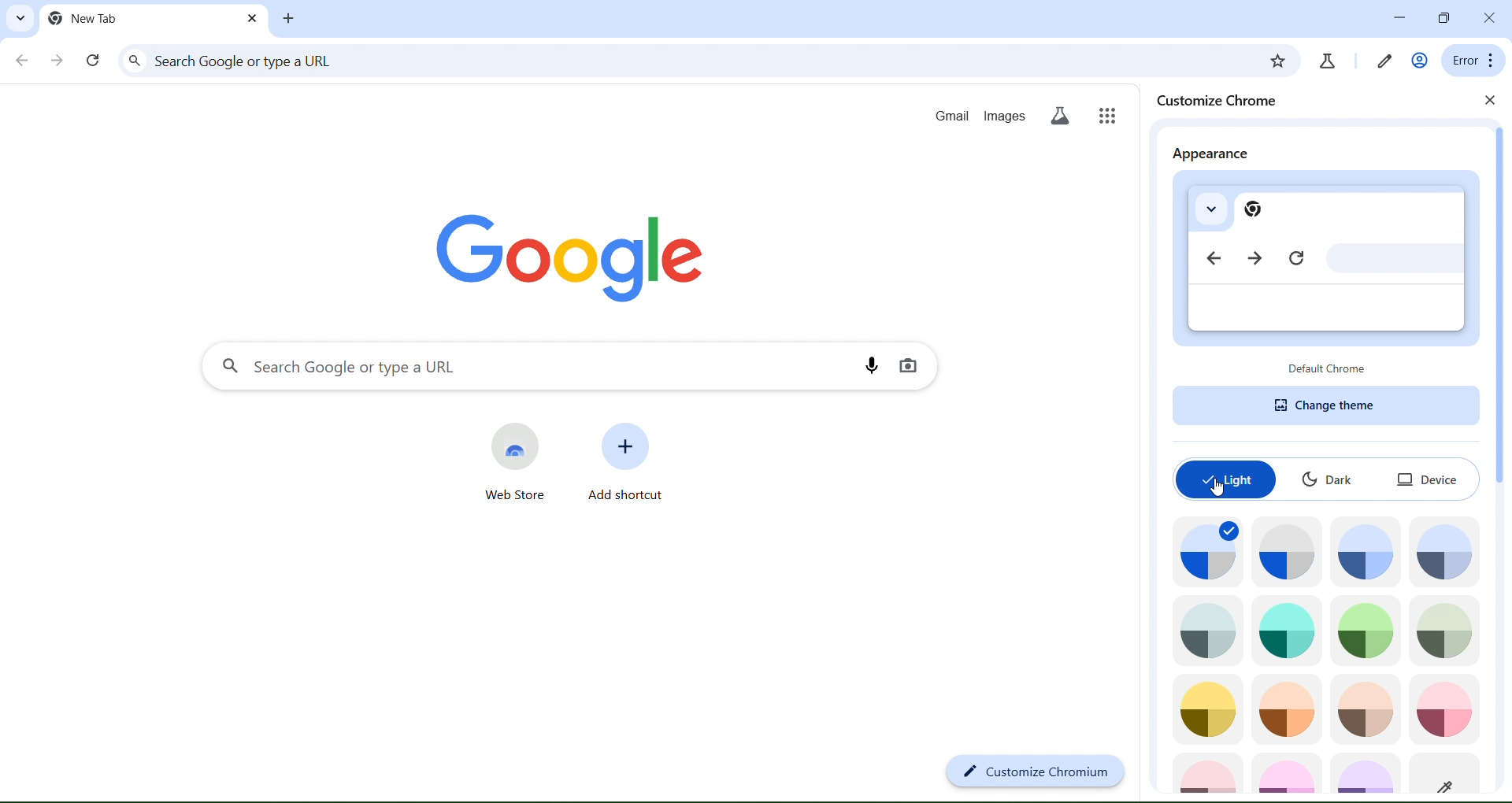  What do you see at coordinates (1209, 771) in the screenshot?
I see `image` at bounding box center [1209, 771].